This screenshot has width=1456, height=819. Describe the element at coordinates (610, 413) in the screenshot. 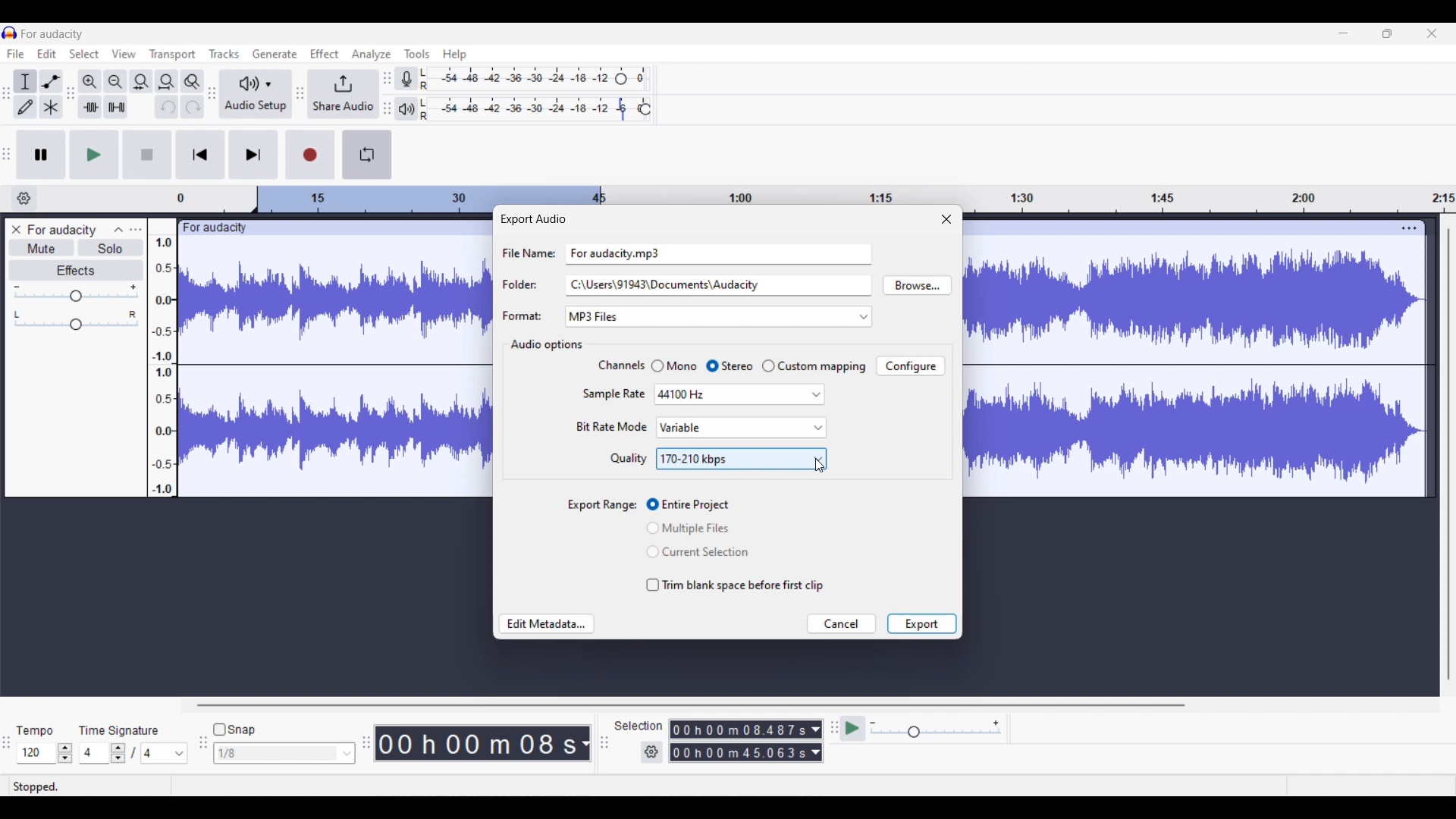

I see `Setting options under current section` at that location.